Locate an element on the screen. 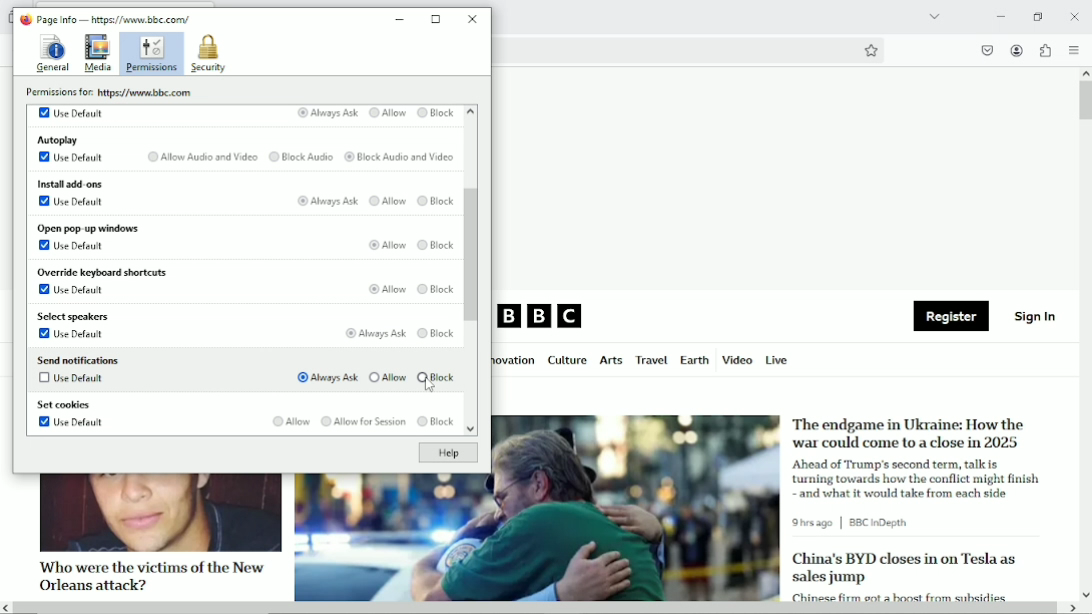 This screenshot has height=614, width=1092. China's BYD closes in on Tesla as sales jump is located at coordinates (904, 568).